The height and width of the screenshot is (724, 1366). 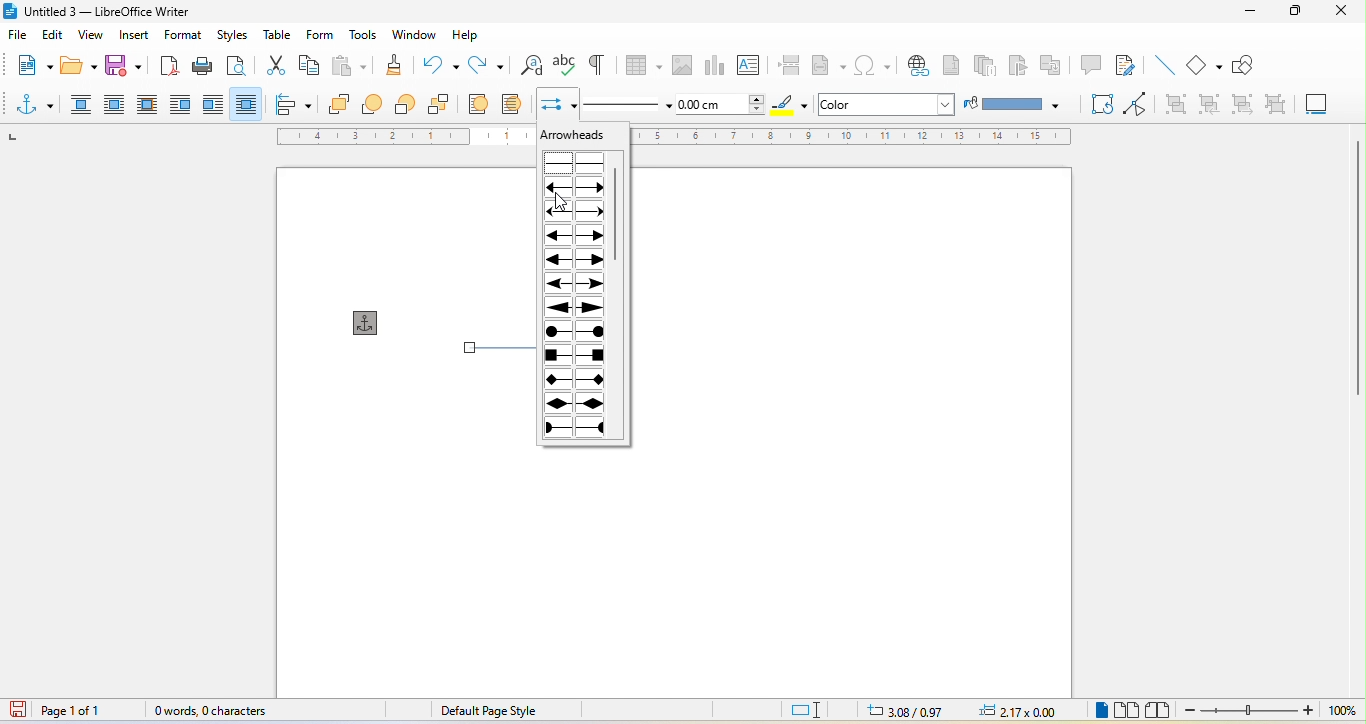 I want to click on basic shape, so click(x=1204, y=63).